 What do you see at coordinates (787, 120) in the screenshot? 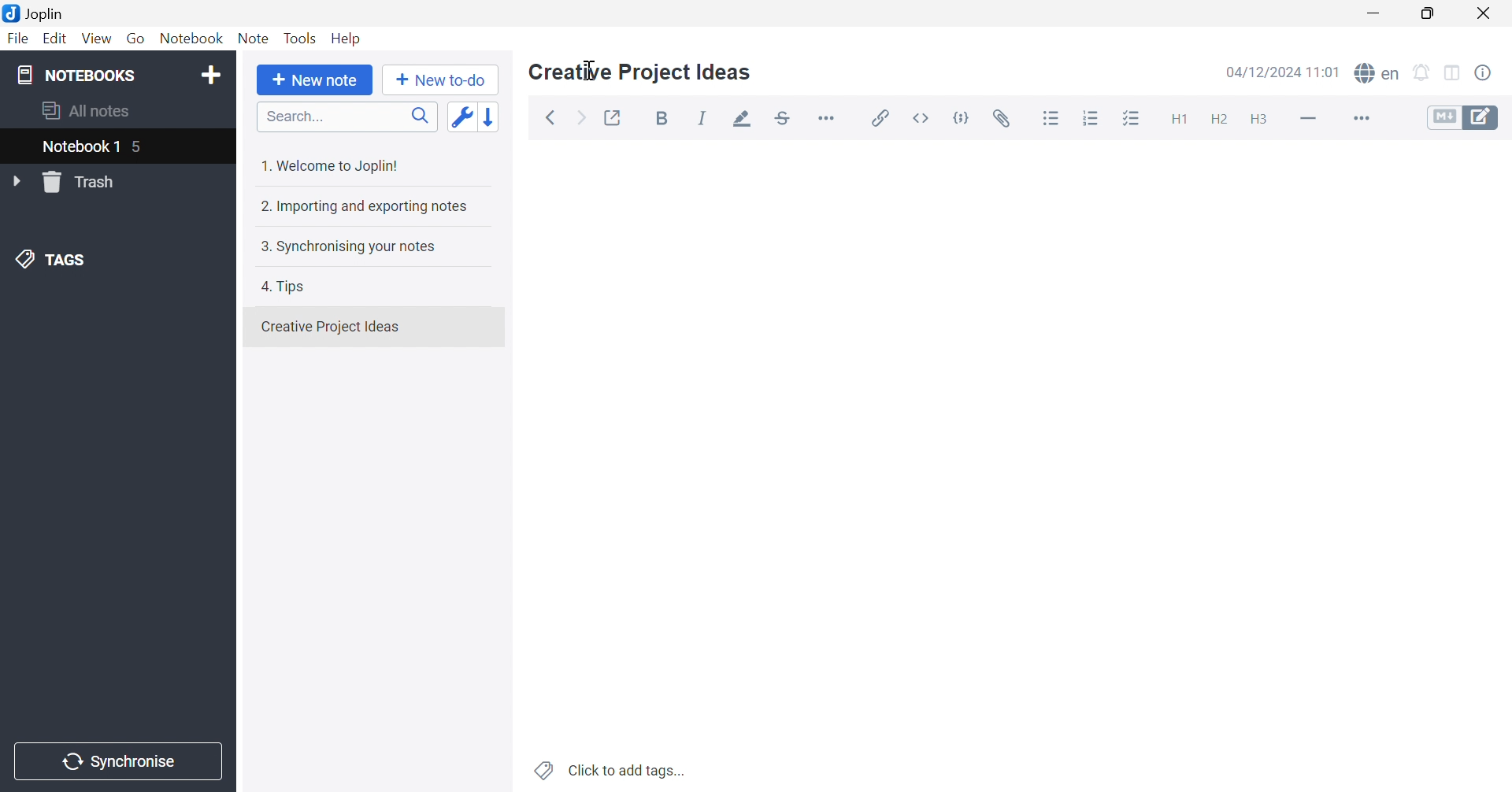
I see `Strikethrough` at bounding box center [787, 120].